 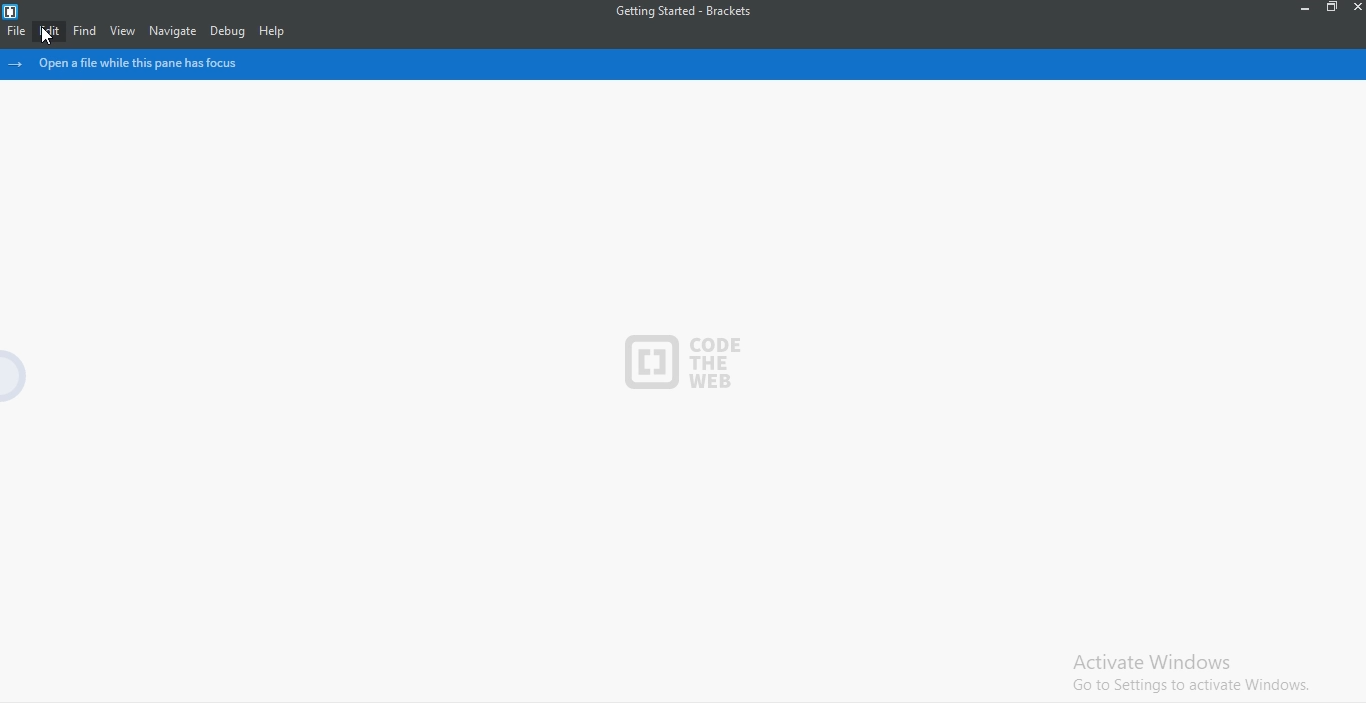 What do you see at coordinates (226, 31) in the screenshot?
I see `debug` at bounding box center [226, 31].